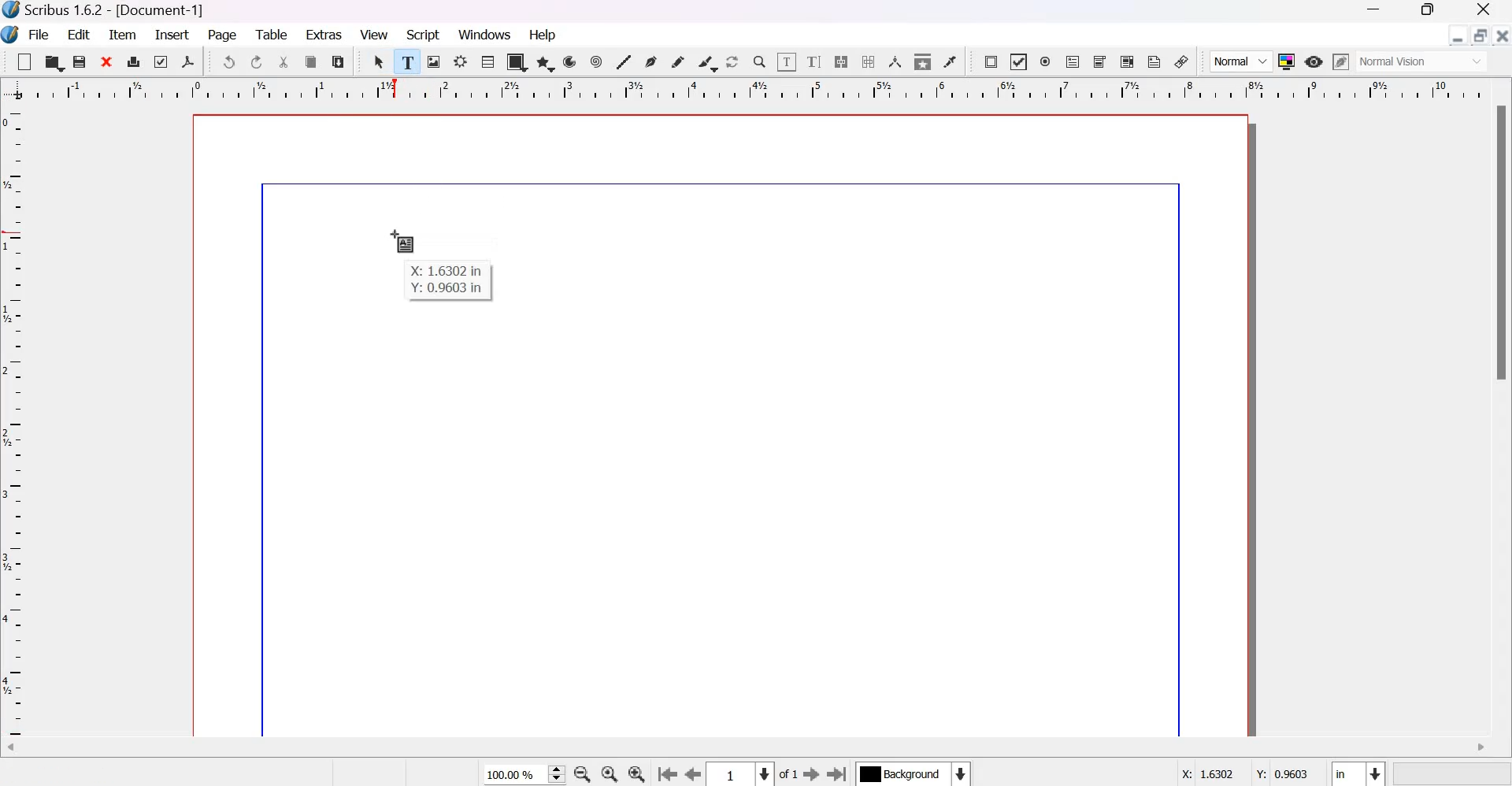  I want to click on Text Annotation, so click(1154, 61).